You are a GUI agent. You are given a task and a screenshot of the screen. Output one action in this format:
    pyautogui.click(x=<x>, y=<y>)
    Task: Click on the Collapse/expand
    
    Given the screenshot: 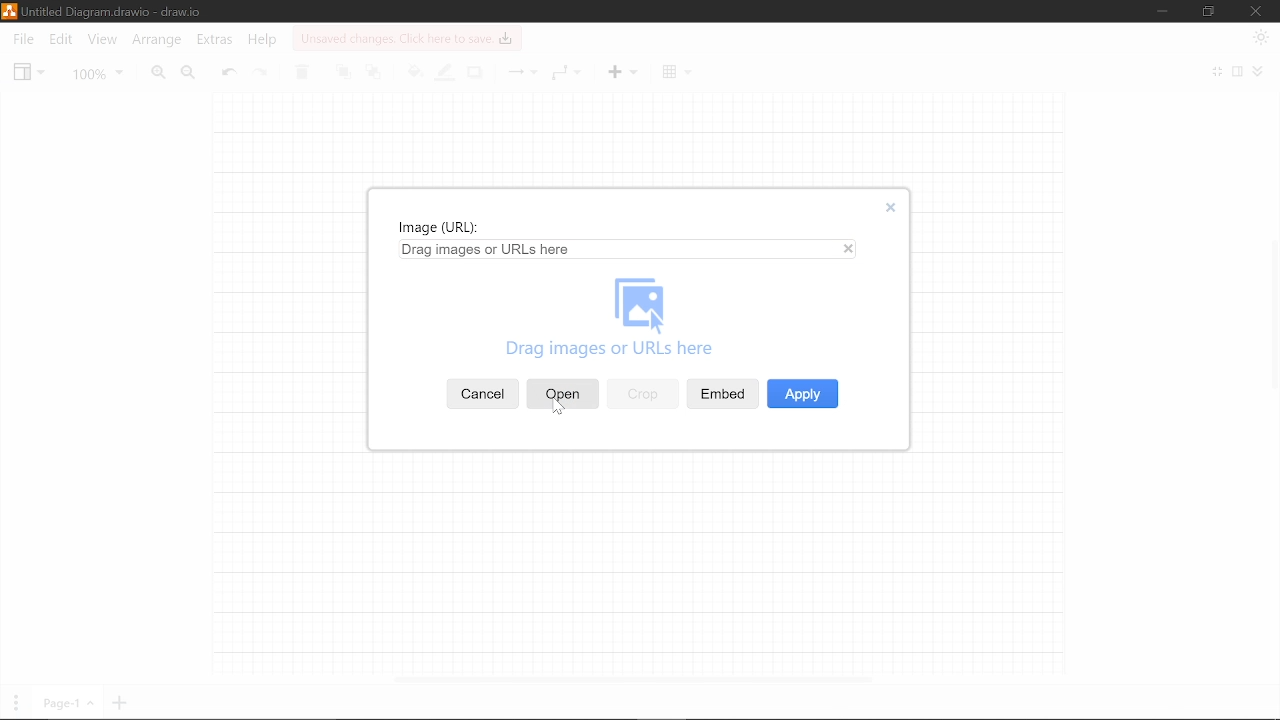 What is the action you would take?
    pyautogui.click(x=1261, y=73)
    